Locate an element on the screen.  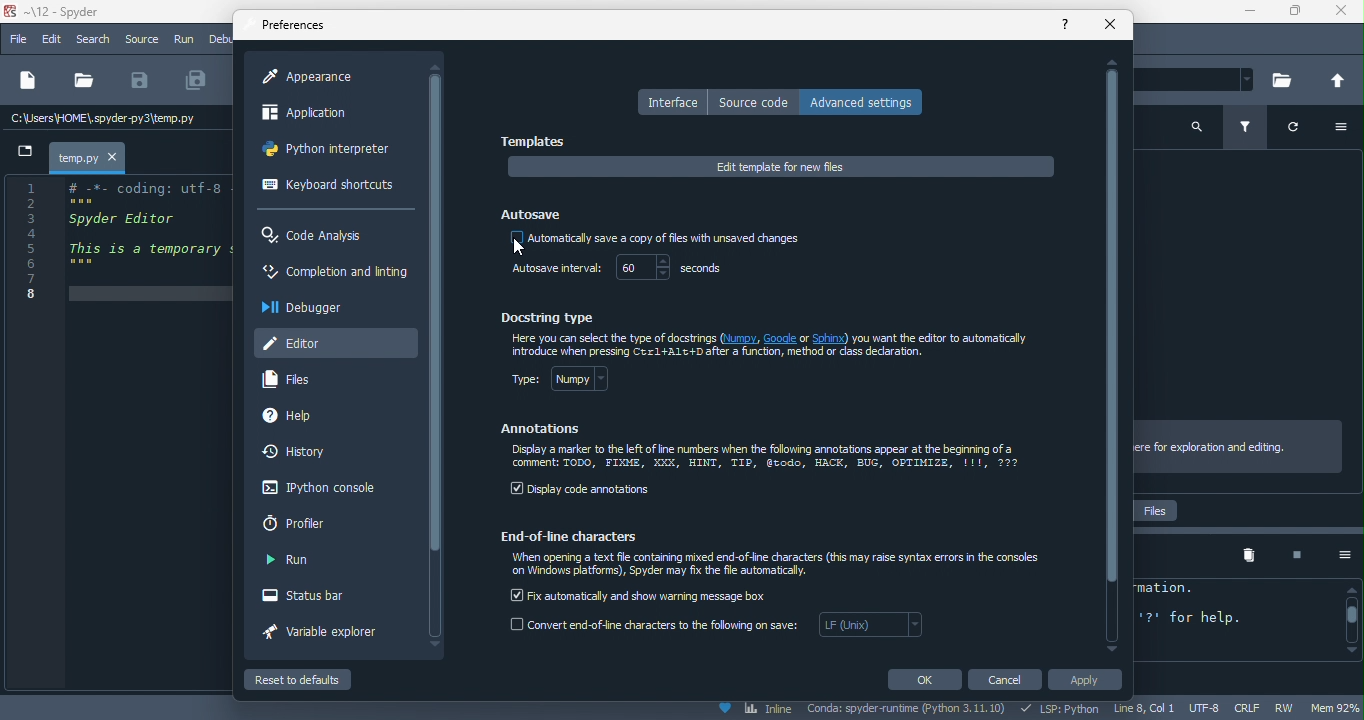
debugger is located at coordinates (309, 307).